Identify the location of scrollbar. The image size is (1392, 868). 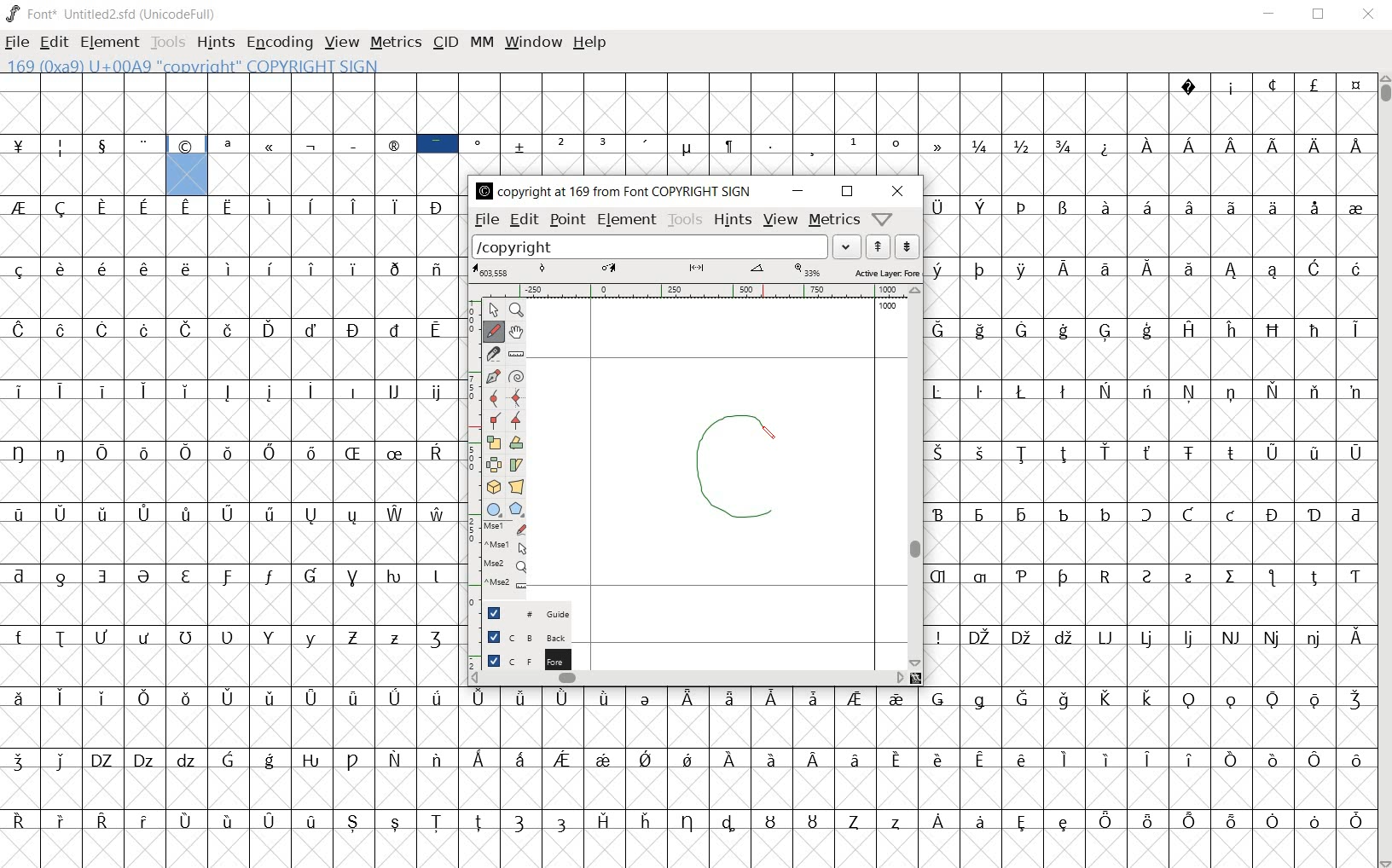
(1383, 472).